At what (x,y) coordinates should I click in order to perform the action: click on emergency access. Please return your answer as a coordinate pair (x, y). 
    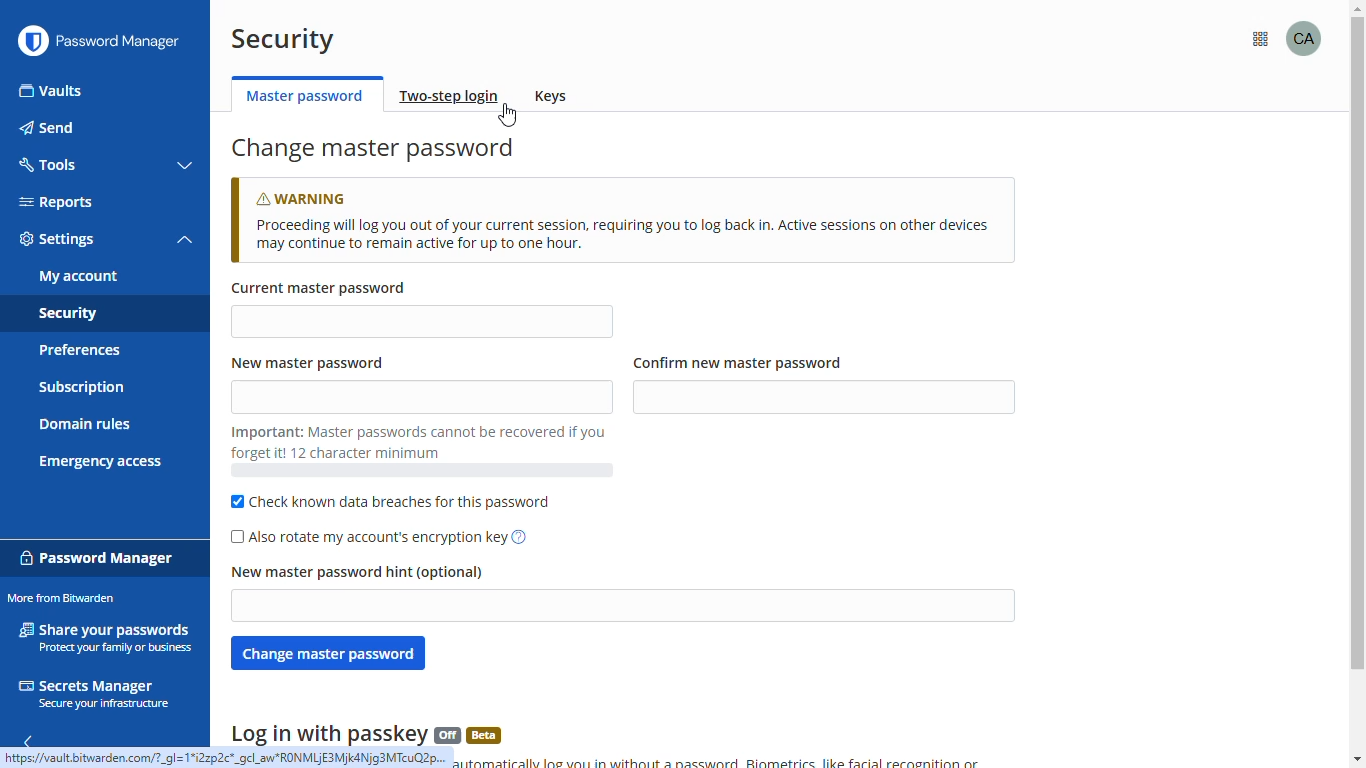
    Looking at the image, I should click on (101, 462).